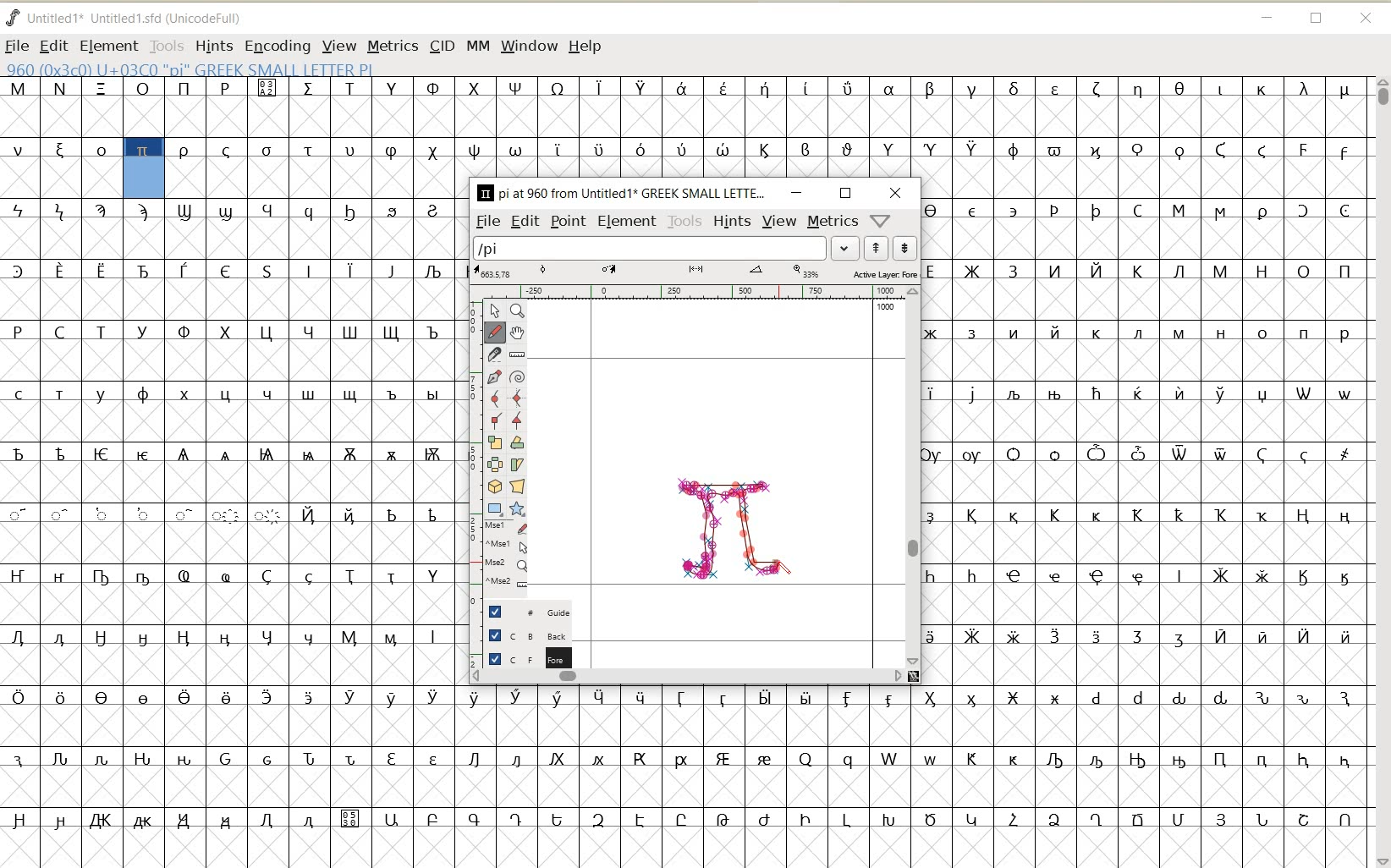 Image resolution: width=1391 pixels, height=868 pixels. I want to click on rotate the selection in 3D and project back to plane, so click(494, 486).